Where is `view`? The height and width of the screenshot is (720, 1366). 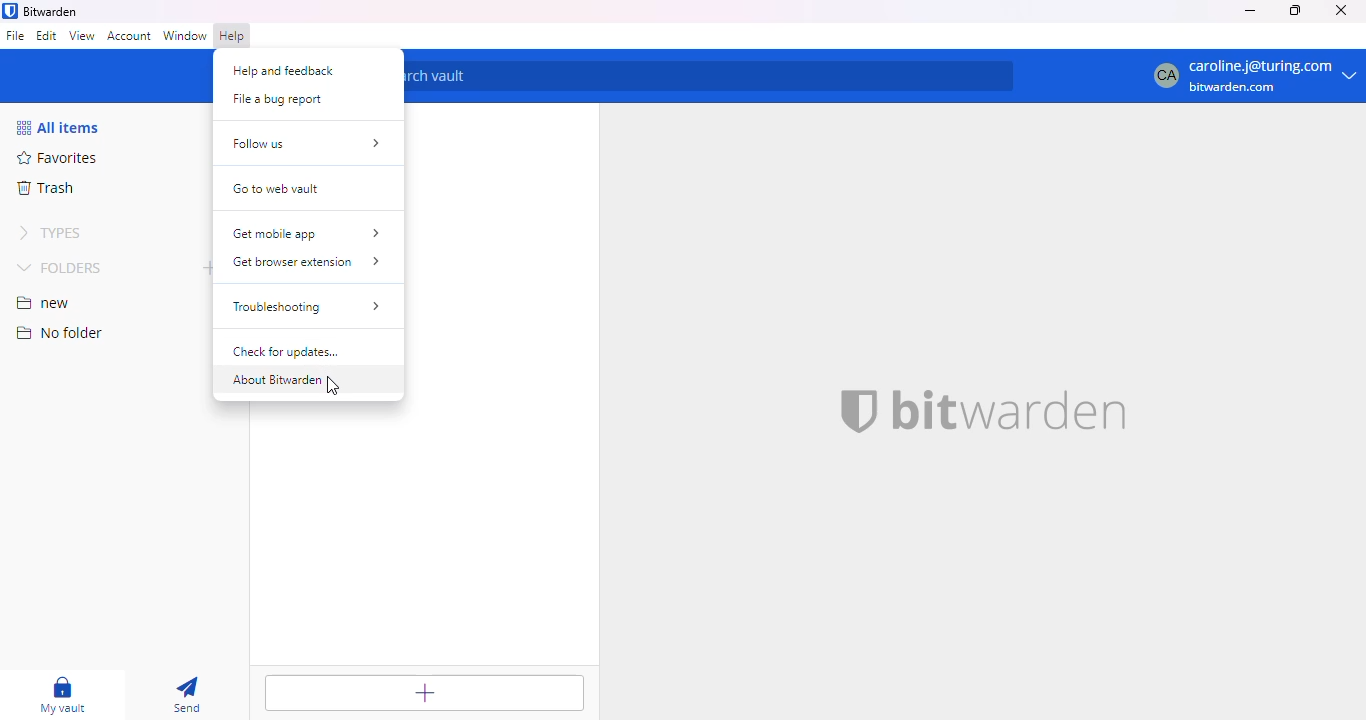
view is located at coordinates (82, 37).